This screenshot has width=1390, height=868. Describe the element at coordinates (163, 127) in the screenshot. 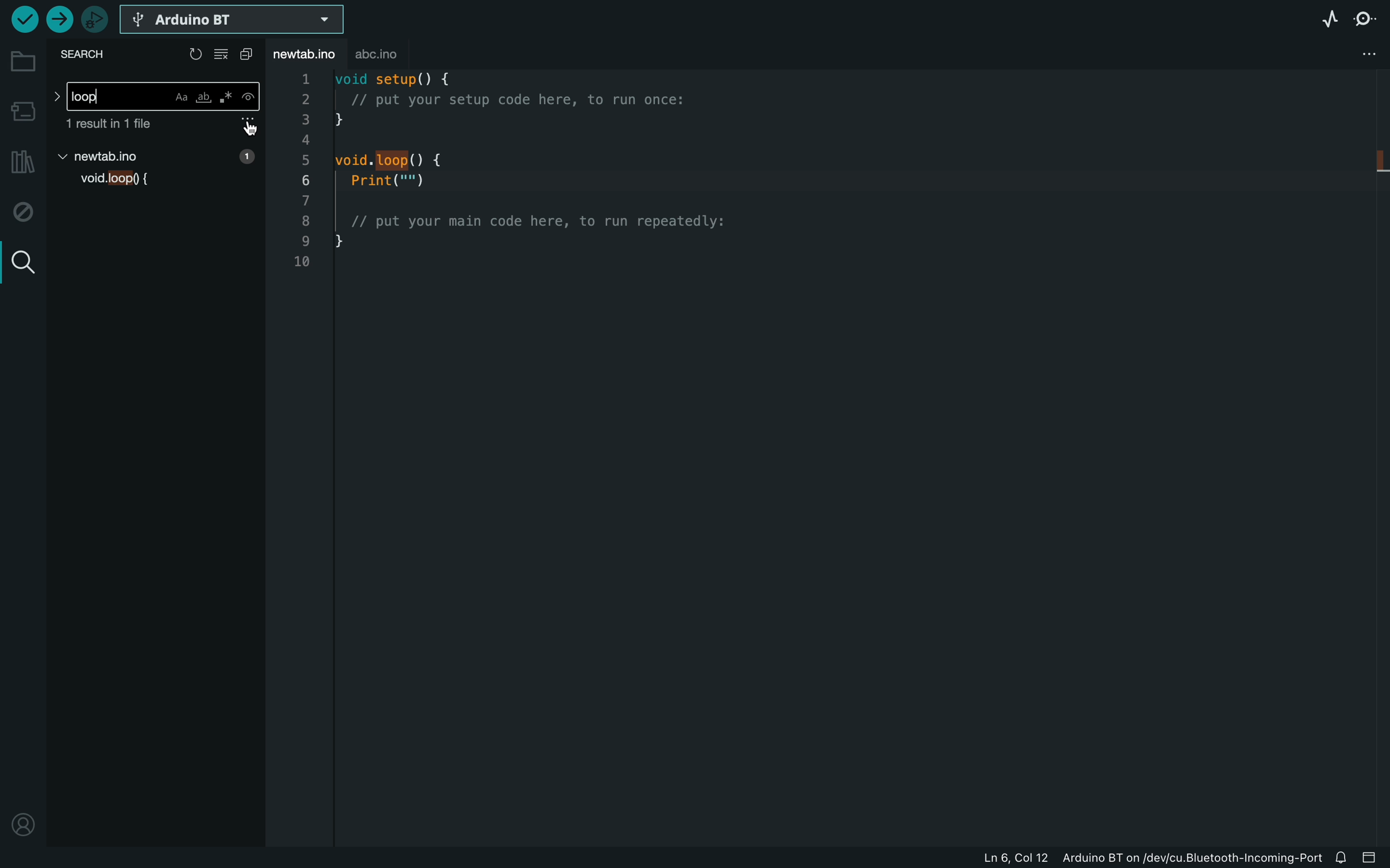

I see `file ` at that location.